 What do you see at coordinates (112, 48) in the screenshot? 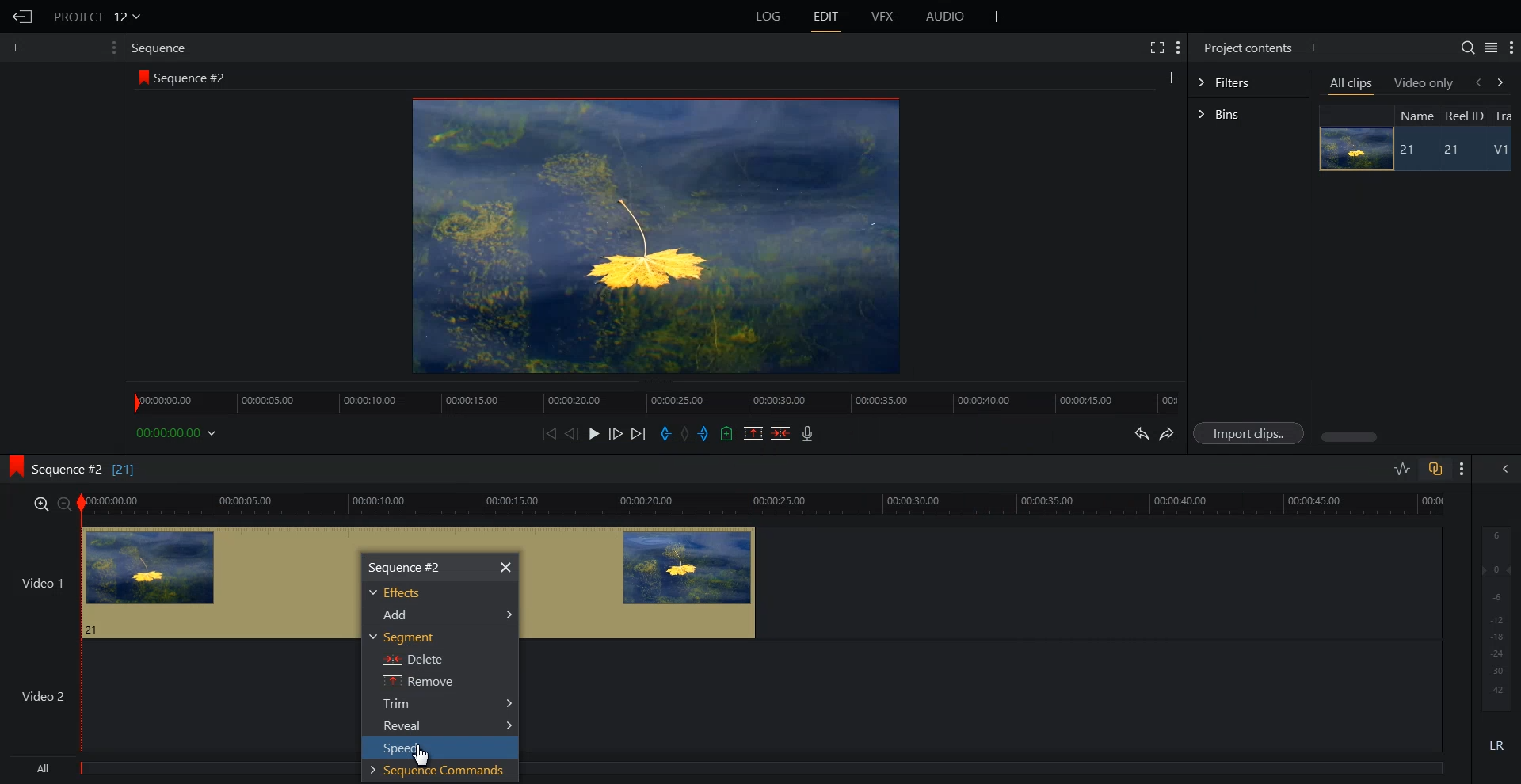
I see `Show setting menu` at bounding box center [112, 48].